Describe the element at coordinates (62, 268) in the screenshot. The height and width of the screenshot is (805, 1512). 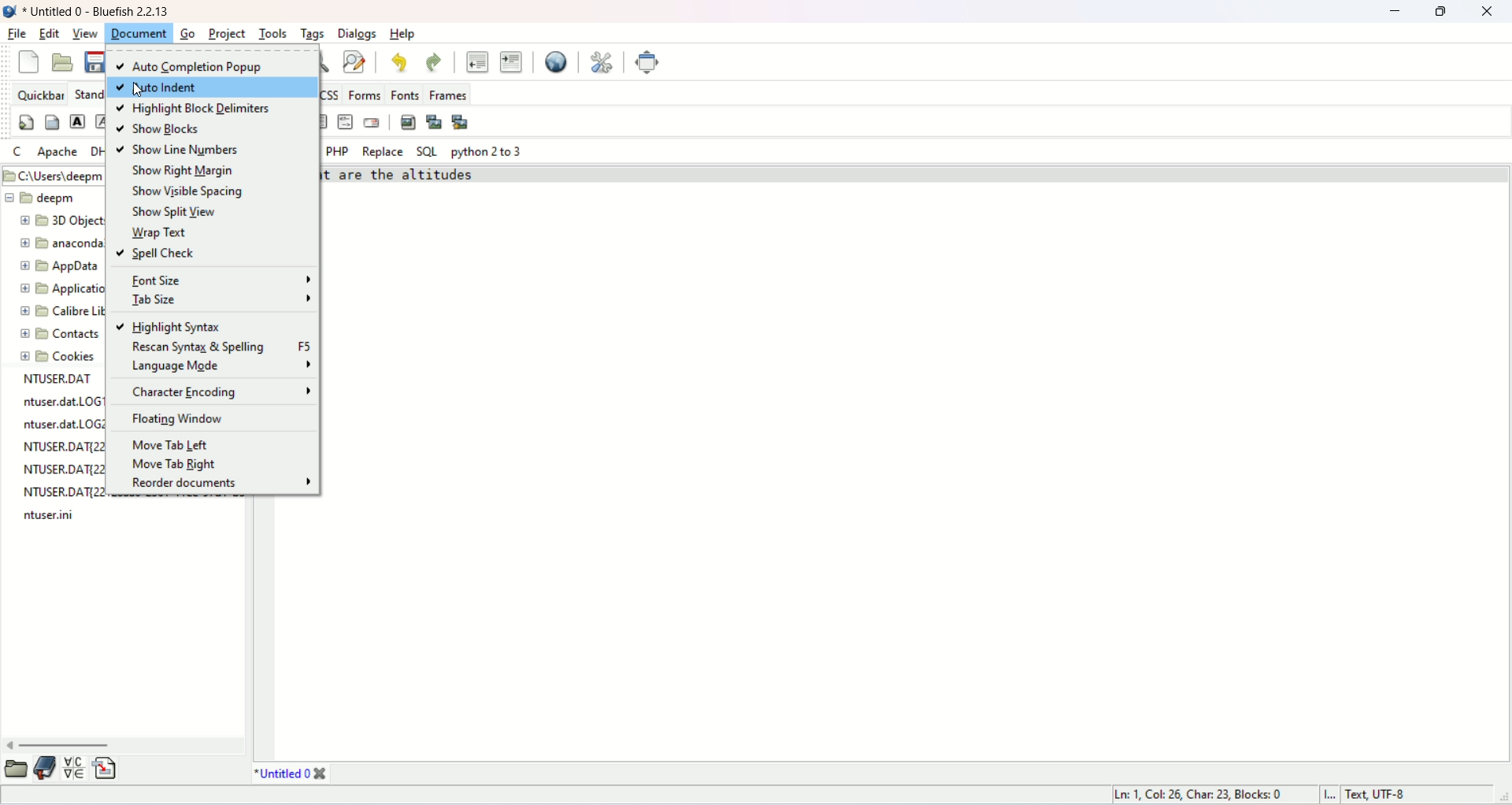
I see `app data` at that location.